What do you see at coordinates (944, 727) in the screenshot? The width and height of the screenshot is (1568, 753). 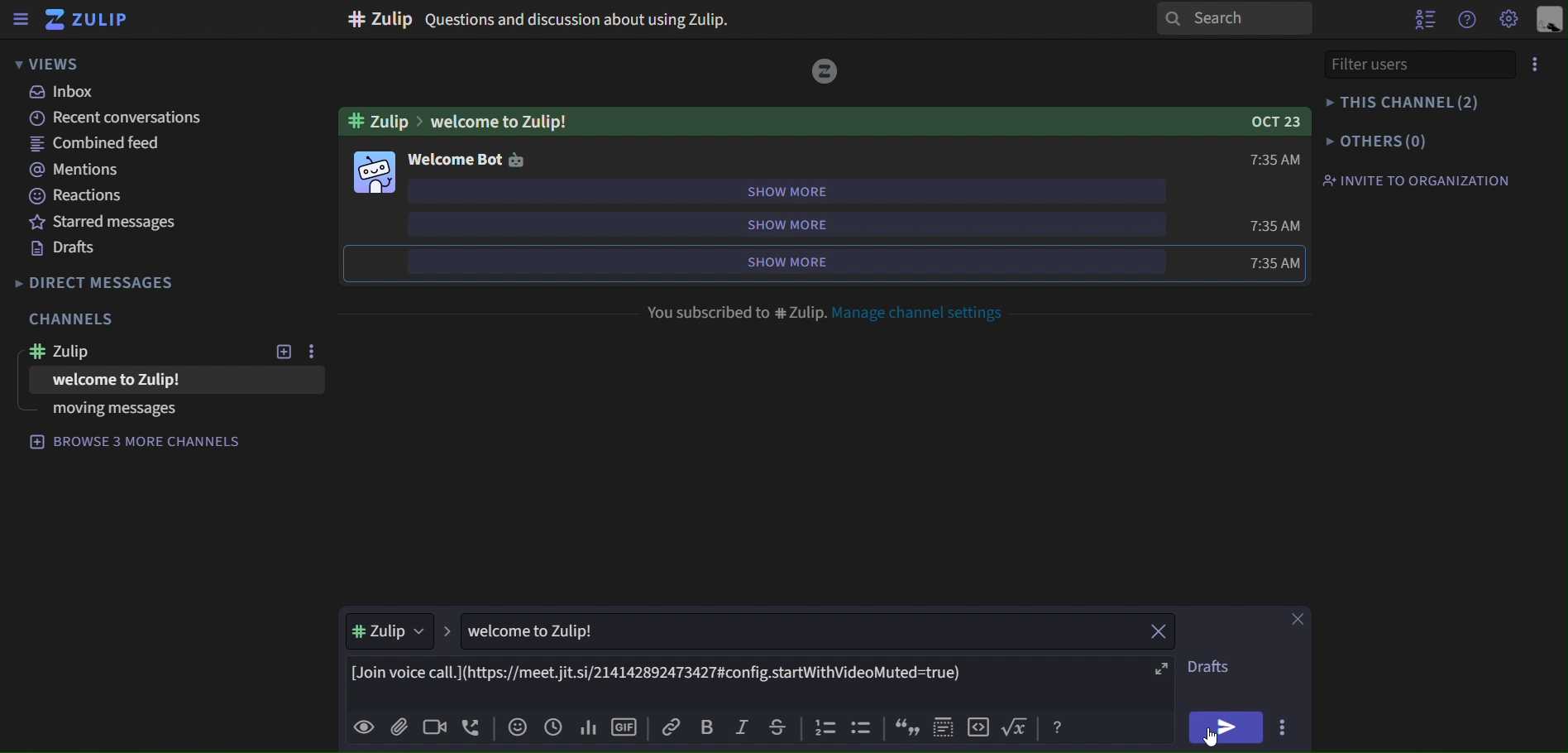 I see `icon` at bounding box center [944, 727].